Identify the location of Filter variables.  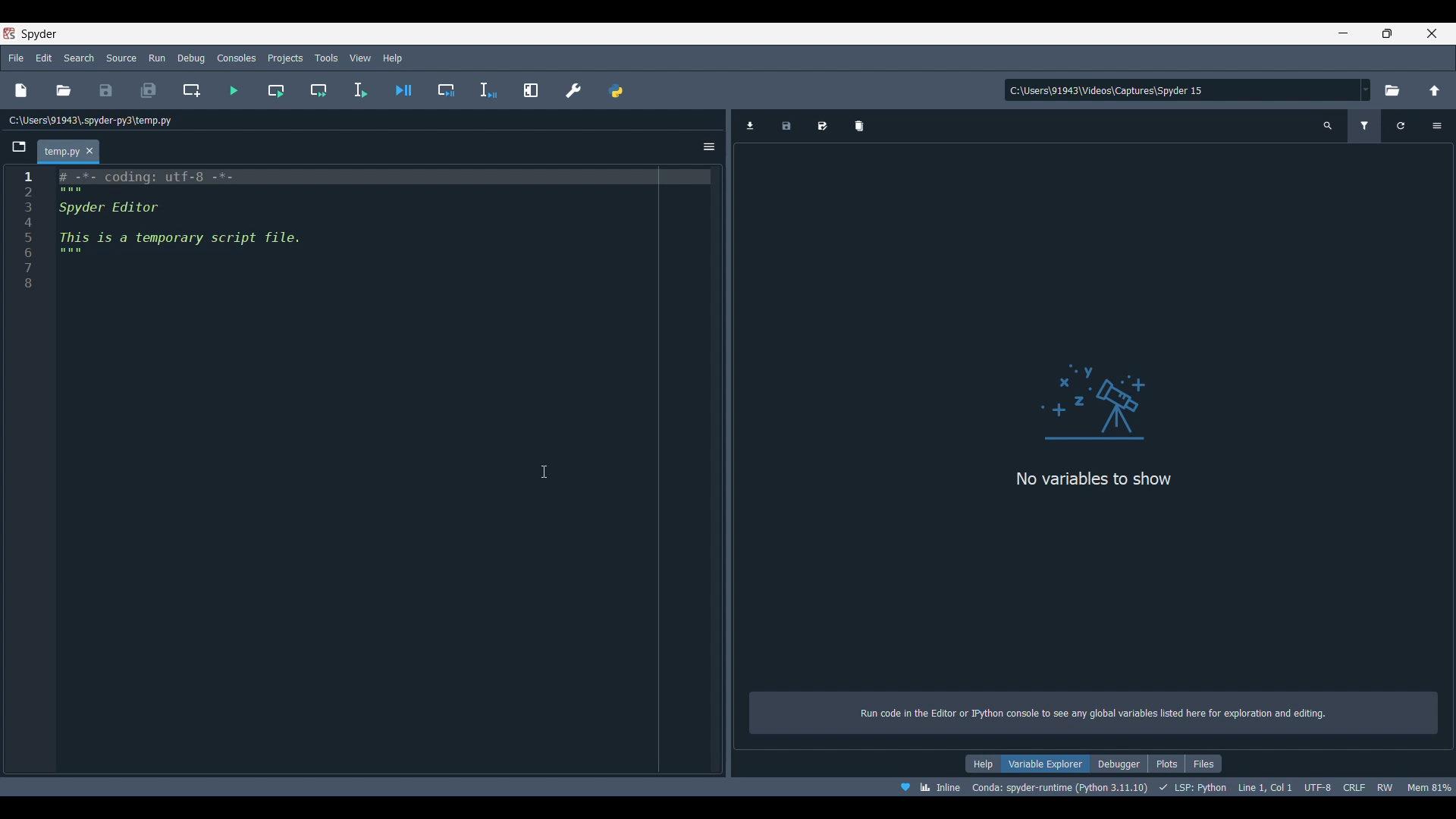
(1363, 126).